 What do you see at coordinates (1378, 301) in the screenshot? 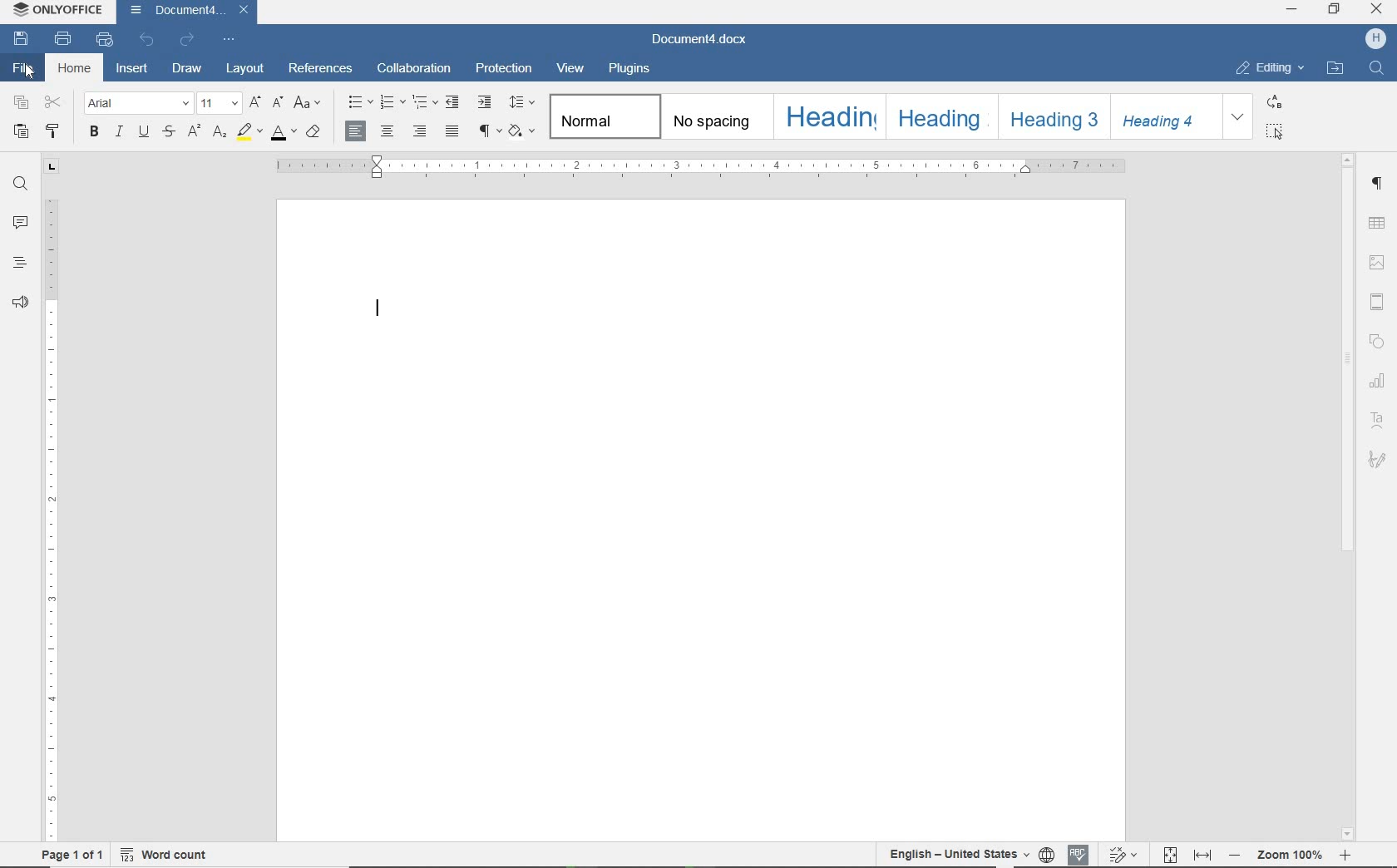
I see `header & footer` at bounding box center [1378, 301].